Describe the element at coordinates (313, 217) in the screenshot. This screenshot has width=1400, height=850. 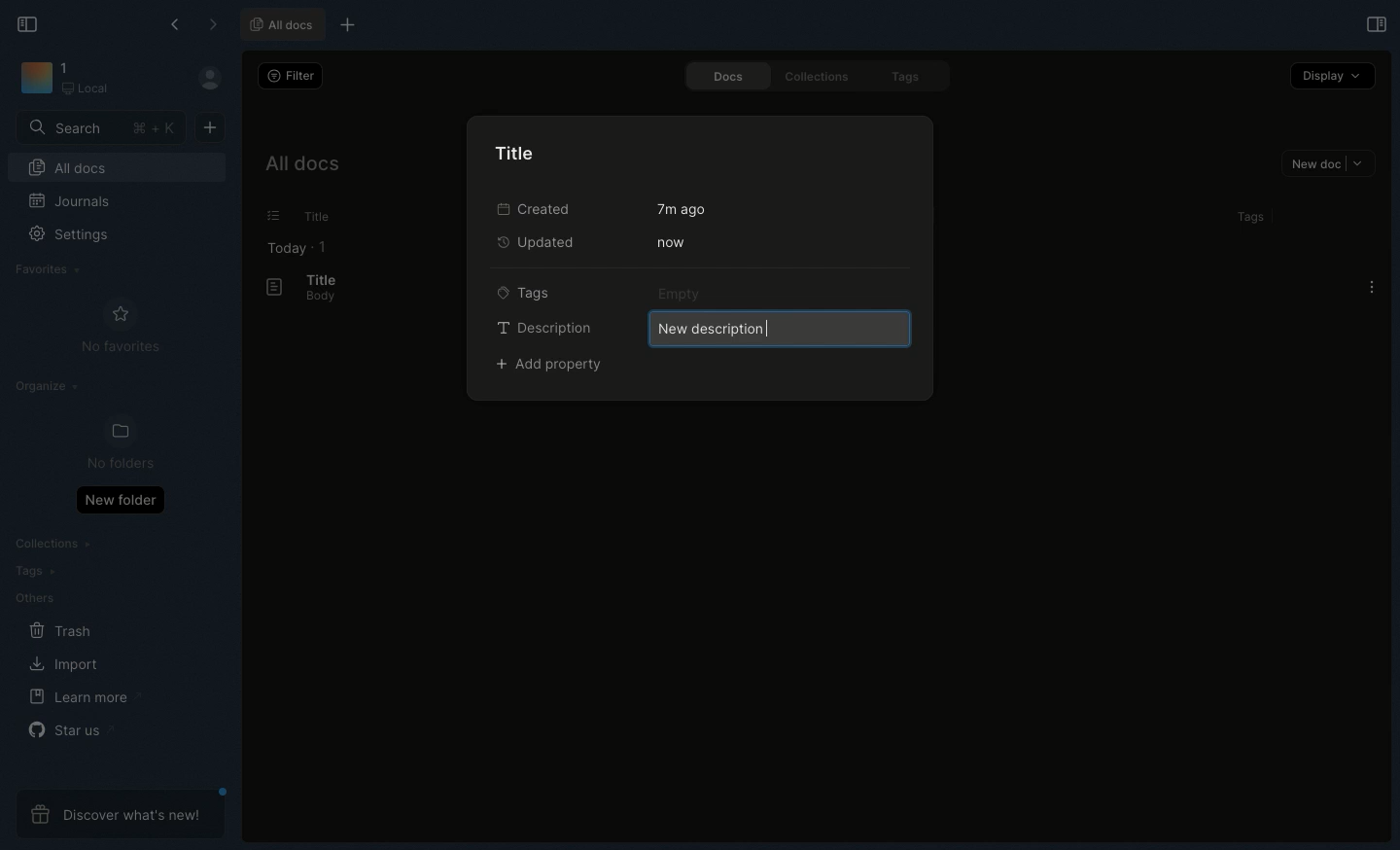
I see `Title` at that location.